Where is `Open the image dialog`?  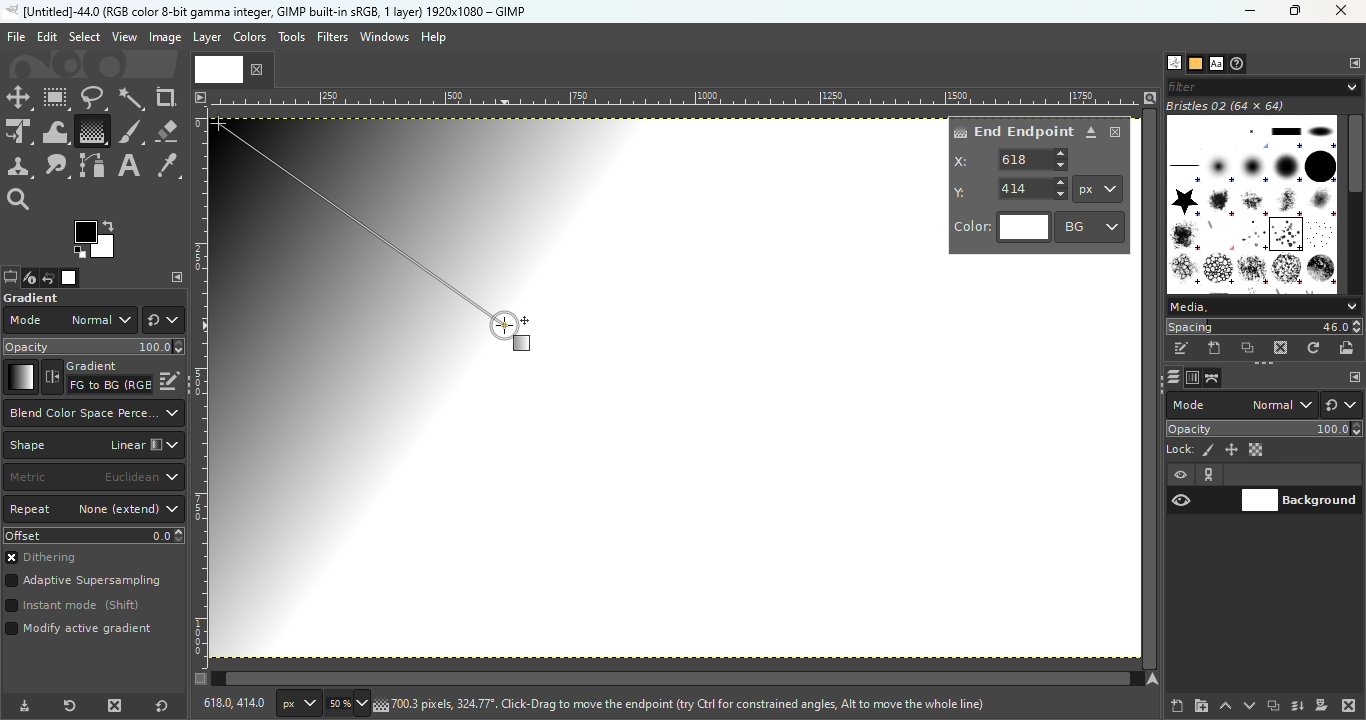
Open the image dialog is located at coordinates (67, 278).